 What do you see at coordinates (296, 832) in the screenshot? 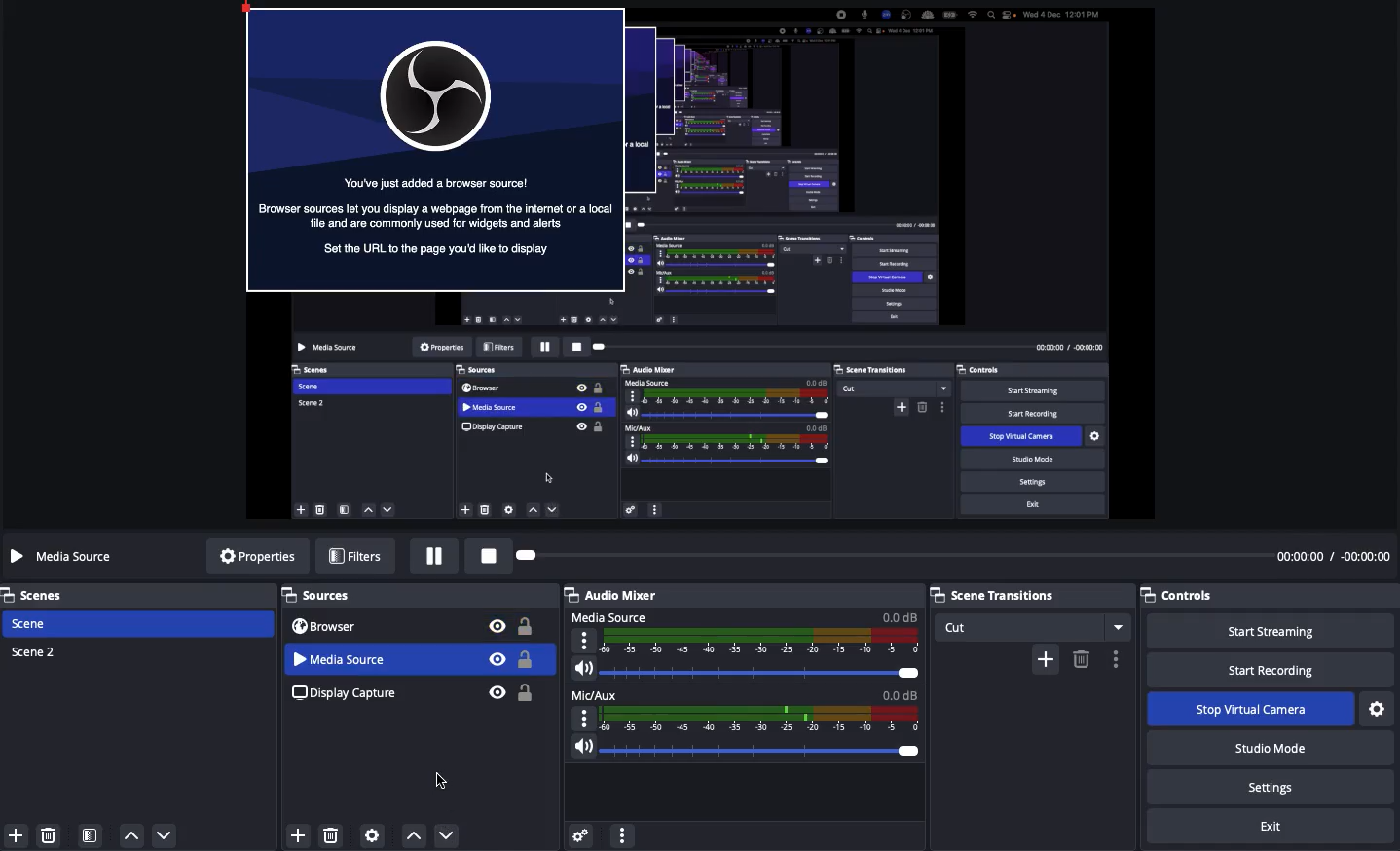
I see `Add` at bounding box center [296, 832].